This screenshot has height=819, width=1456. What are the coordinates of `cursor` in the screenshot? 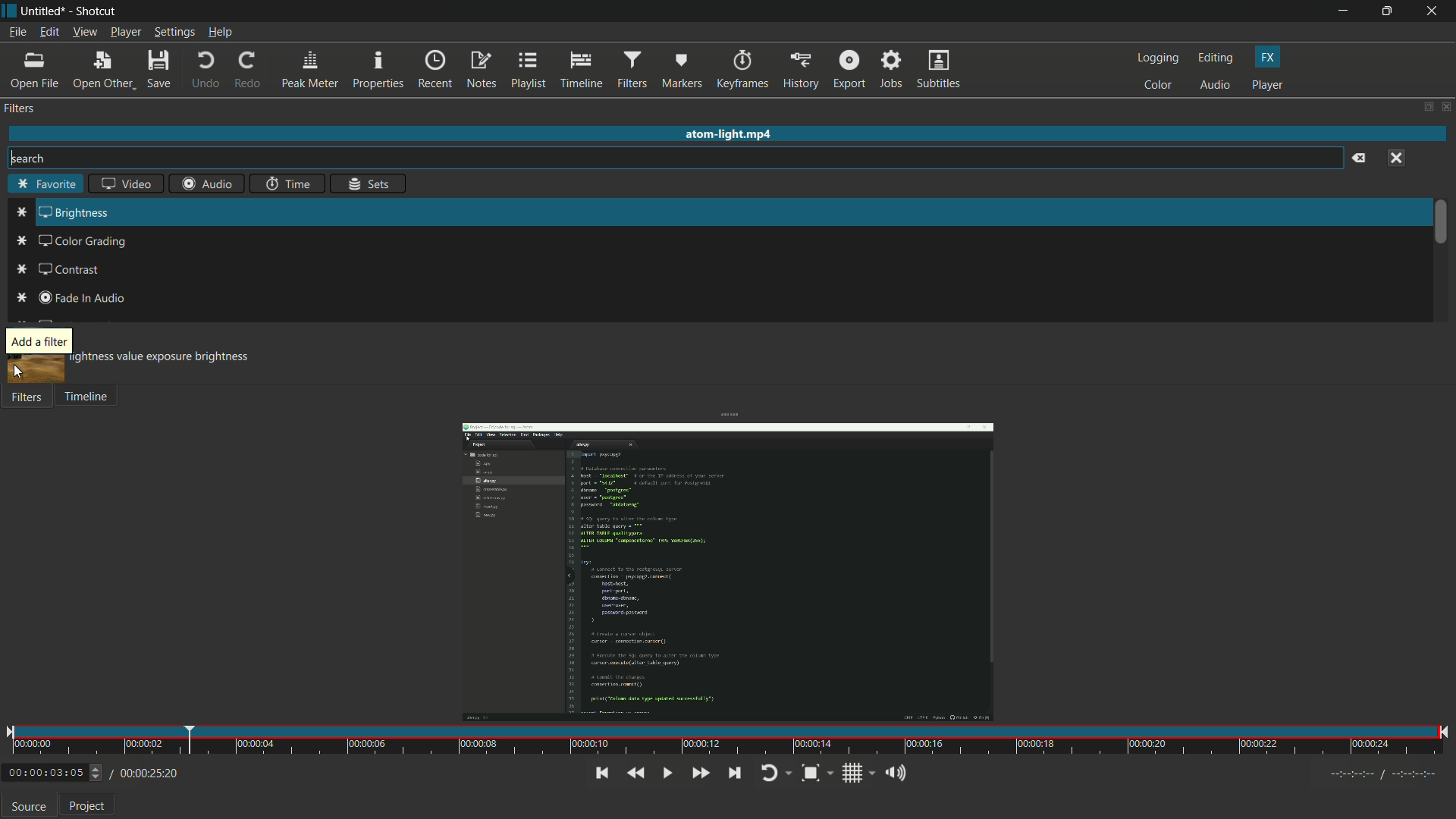 It's located at (20, 374).